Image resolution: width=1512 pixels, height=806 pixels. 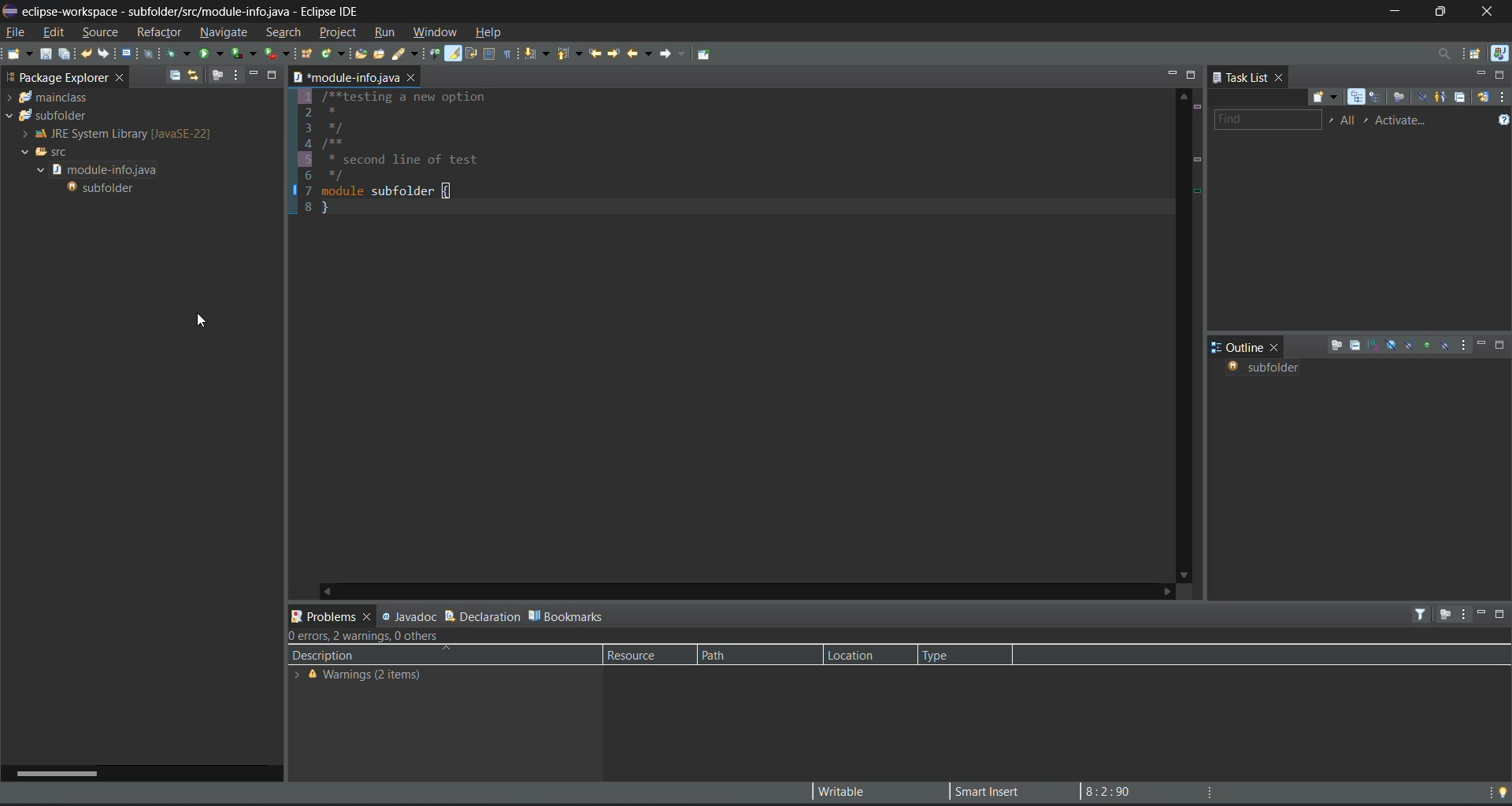 What do you see at coordinates (1282, 79) in the screenshot?
I see `close` at bounding box center [1282, 79].